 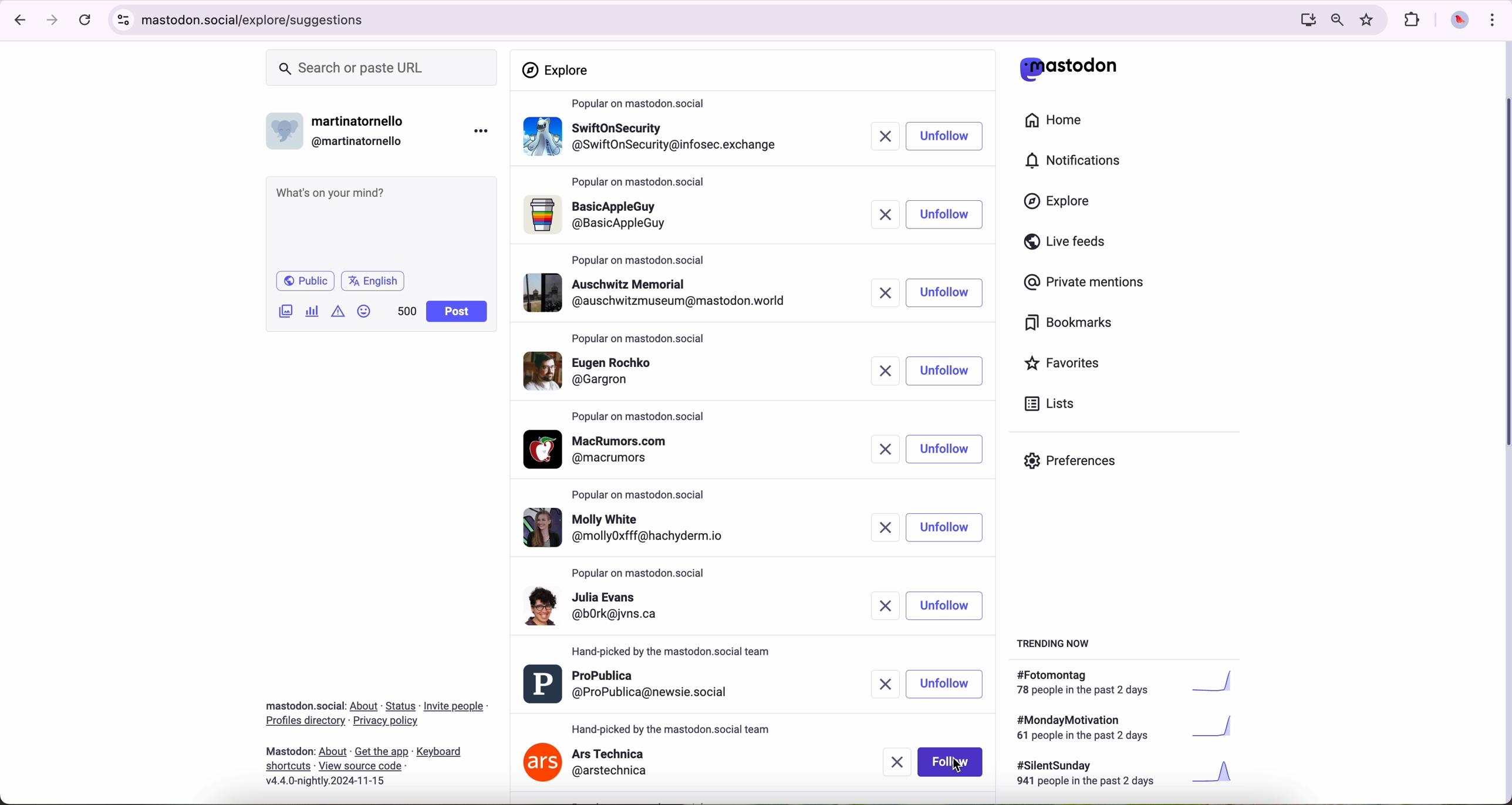 What do you see at coordinates (945, 137) in the screenshot?
I see `click on follow button` at bounding box center [945, 137].